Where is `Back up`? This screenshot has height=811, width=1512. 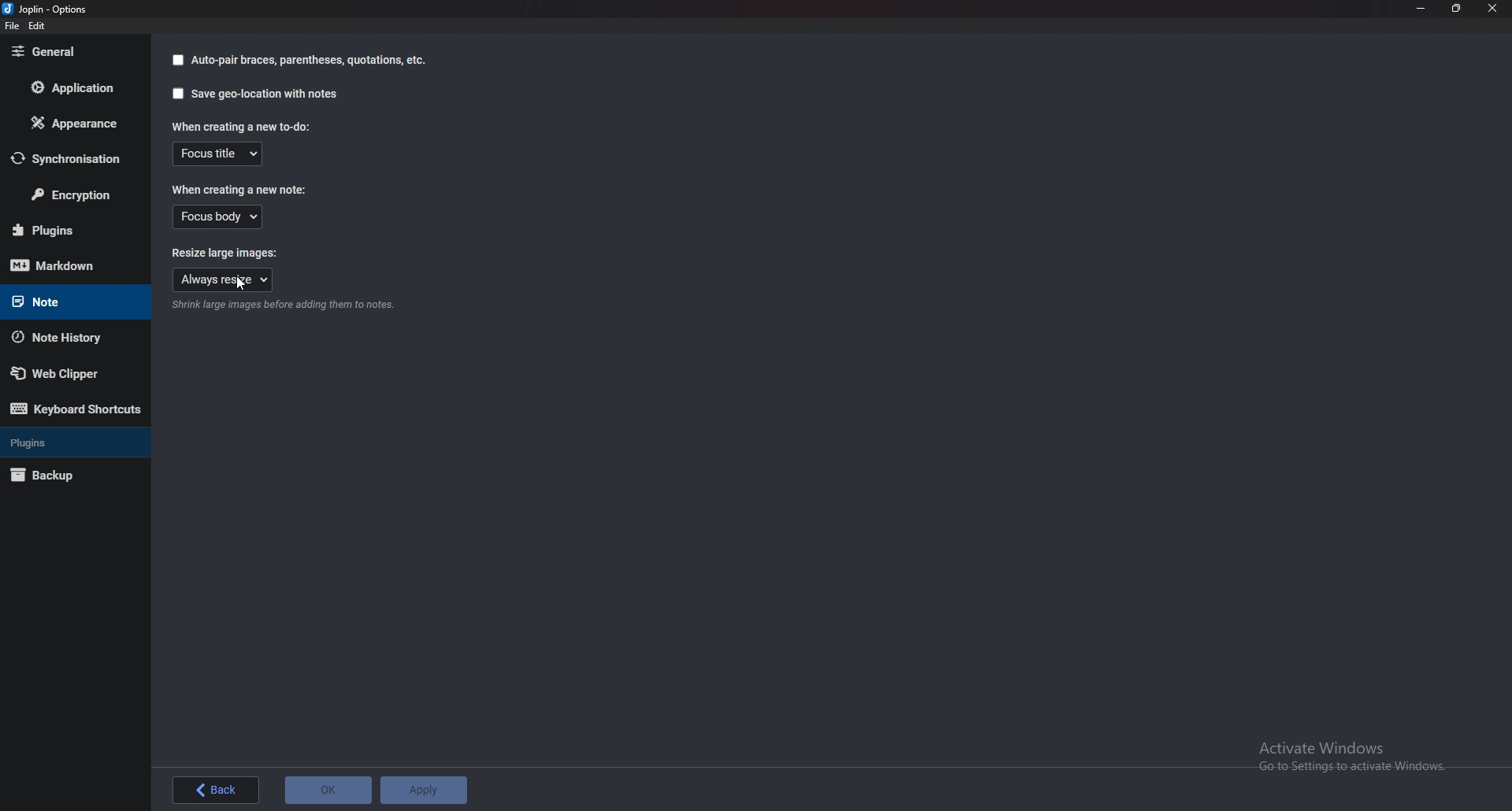 Back up is located at coordinates (61, 476).